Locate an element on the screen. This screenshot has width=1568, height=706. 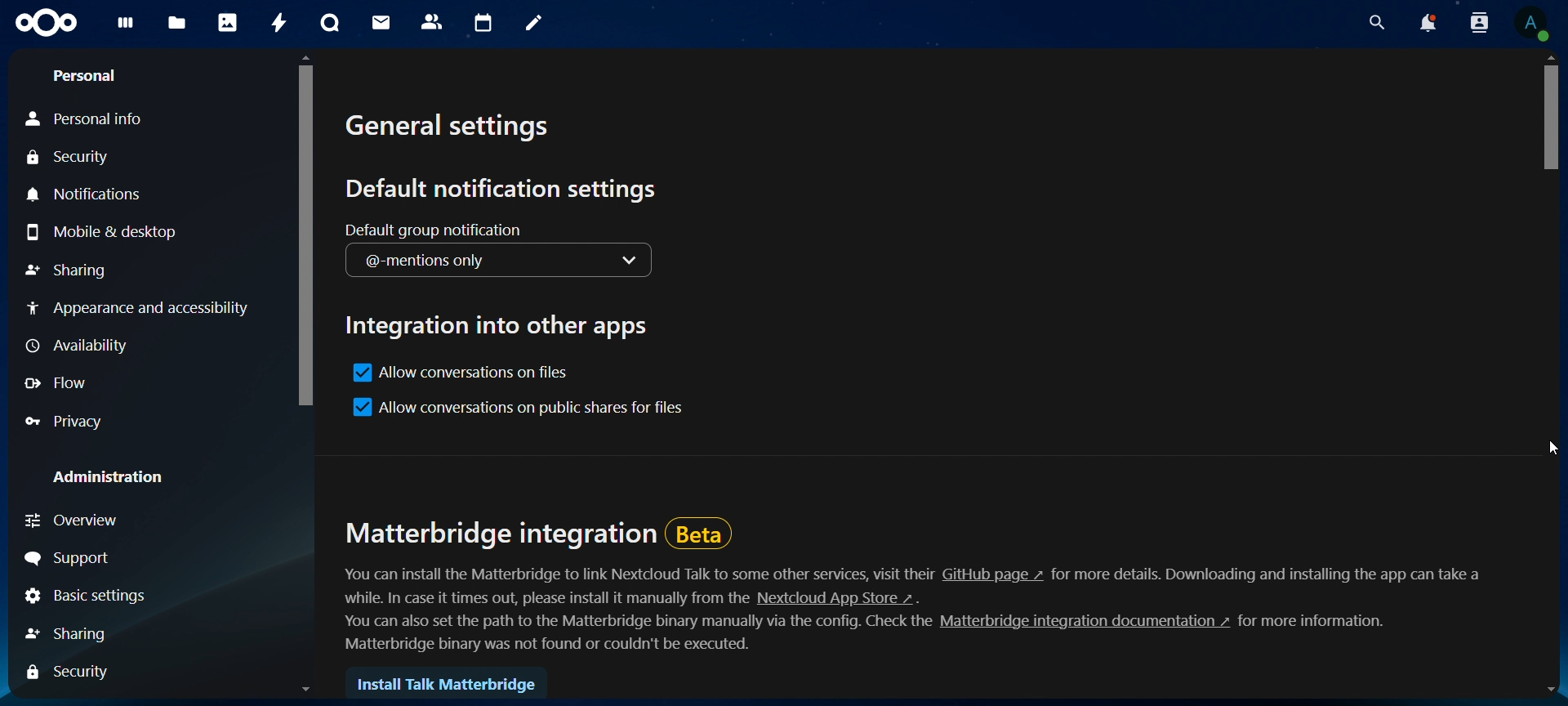
cursor is located at coordinates (1551, 451).